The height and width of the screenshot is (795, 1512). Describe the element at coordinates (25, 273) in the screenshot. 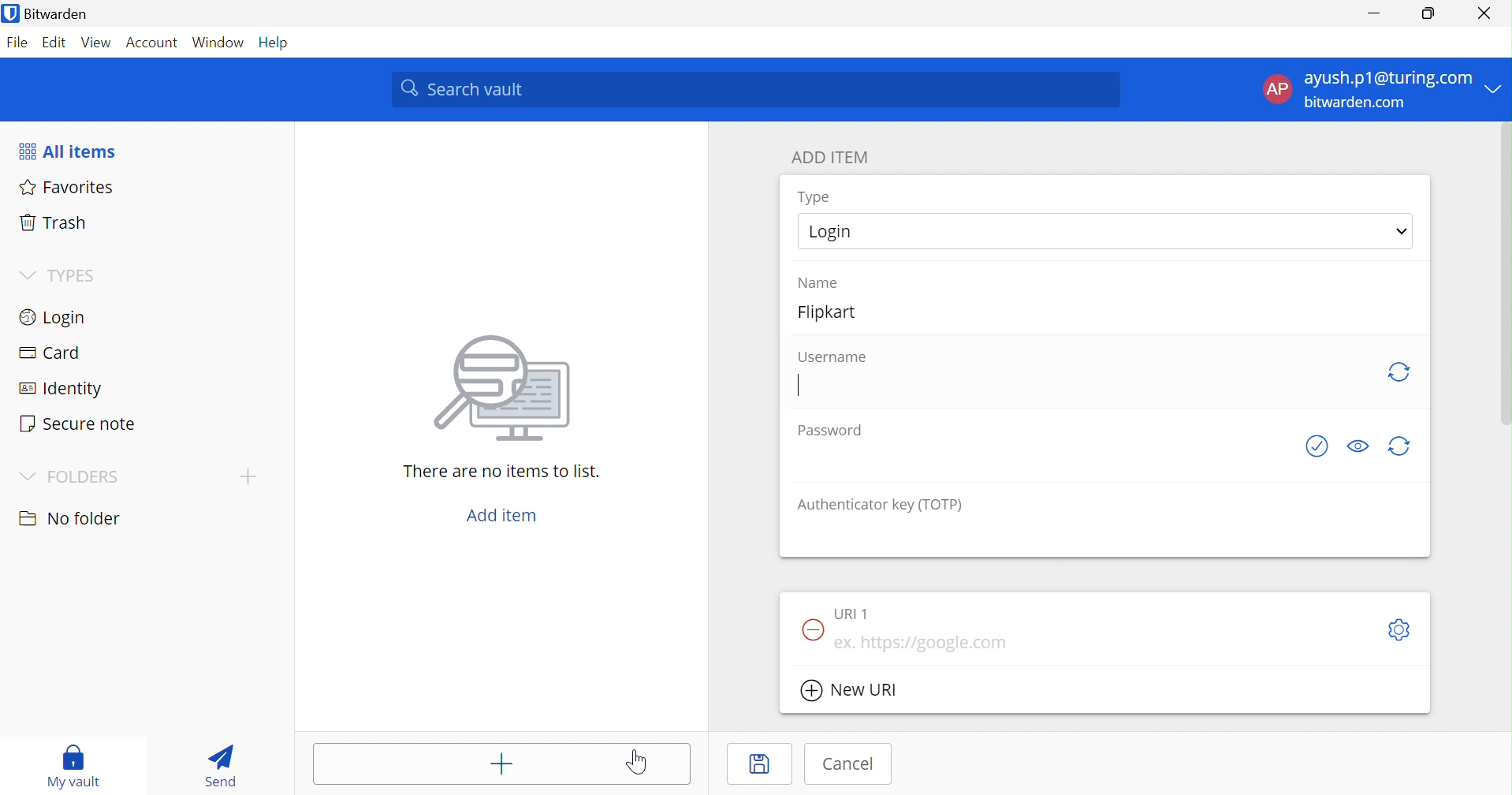

I see `Drop Down` at that location.